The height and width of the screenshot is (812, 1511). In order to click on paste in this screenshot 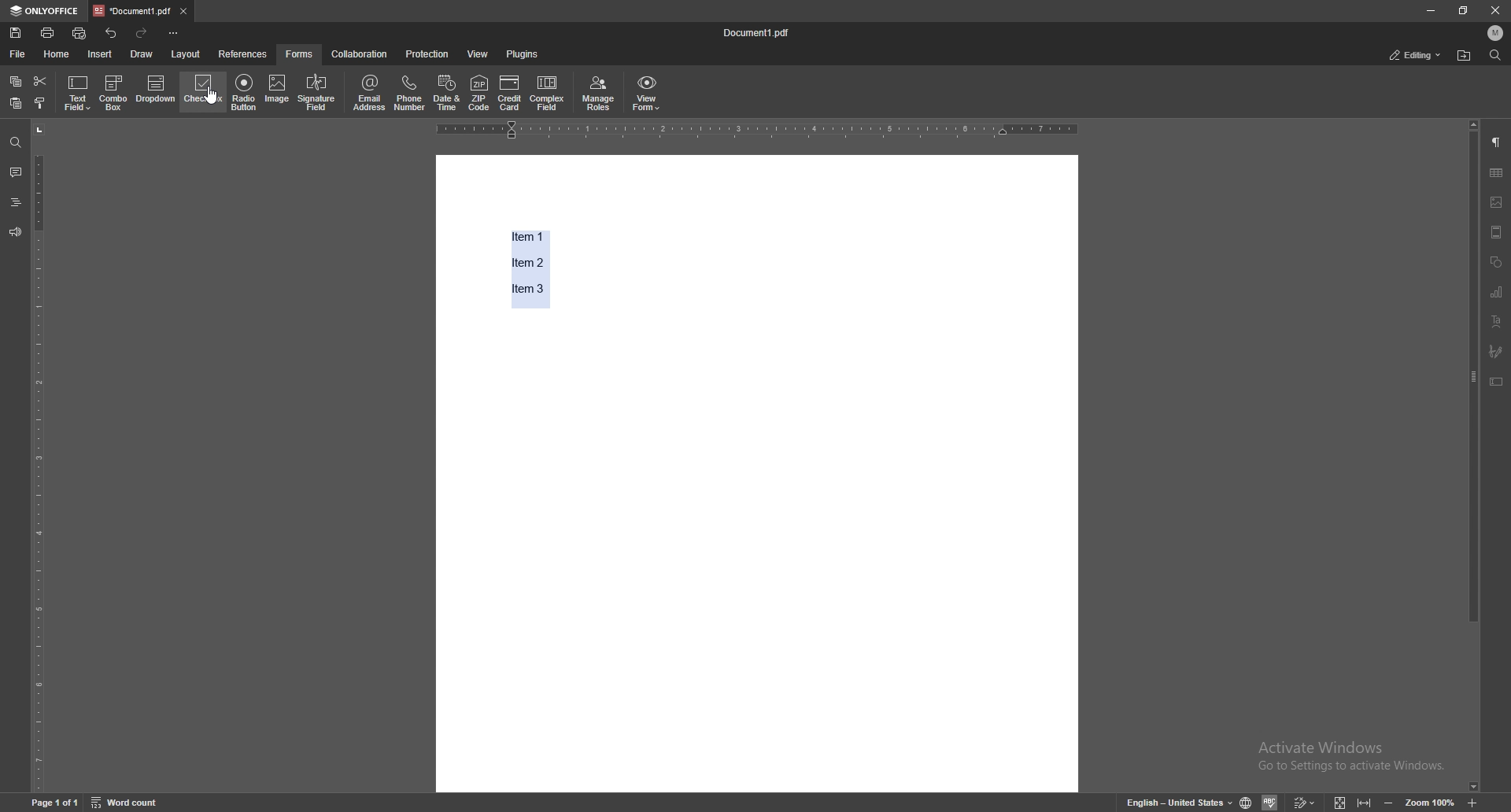, I will do `click(15, 103)`.